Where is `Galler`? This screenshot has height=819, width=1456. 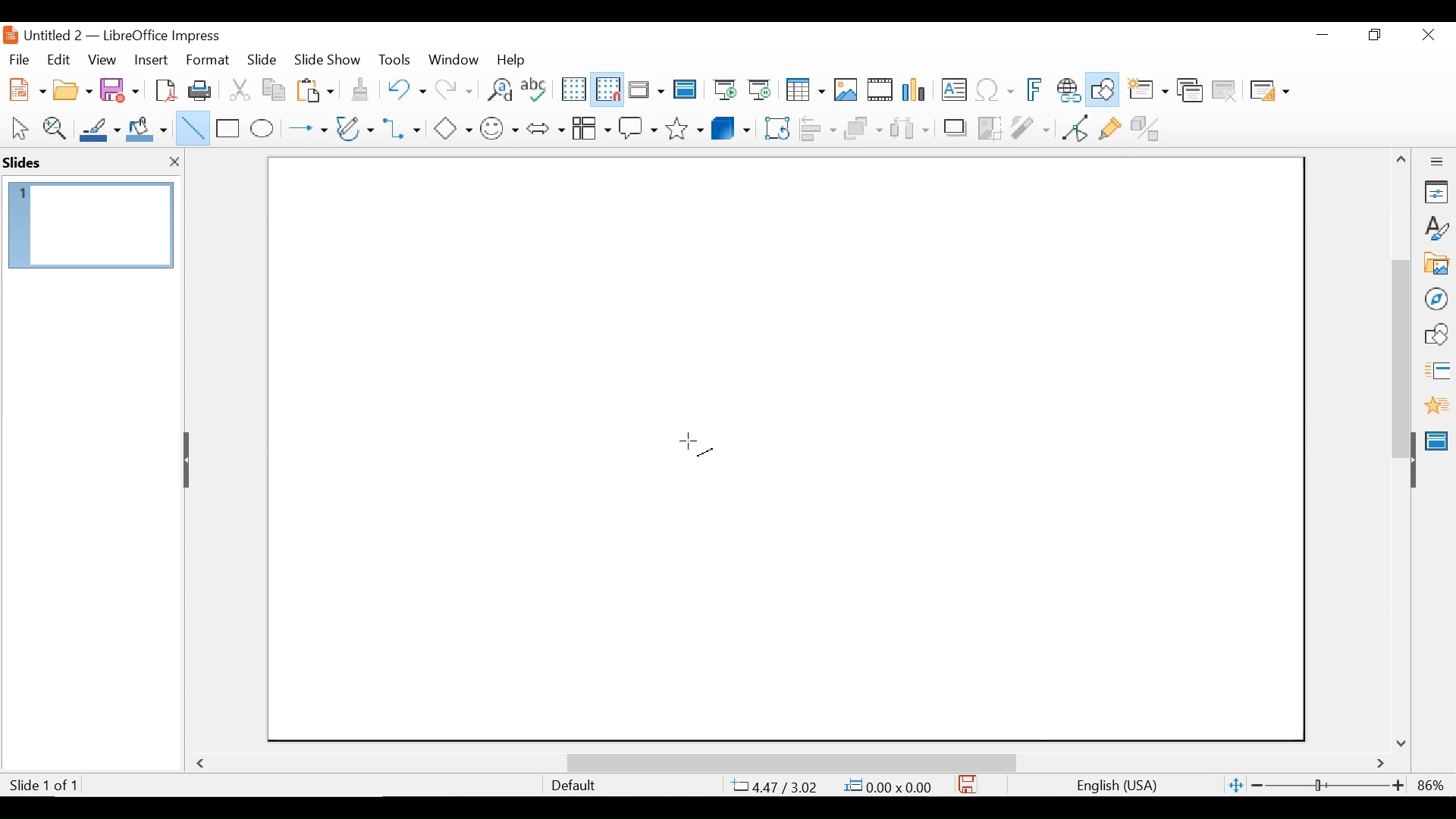 Galler is located at coordinates (1436, 265).